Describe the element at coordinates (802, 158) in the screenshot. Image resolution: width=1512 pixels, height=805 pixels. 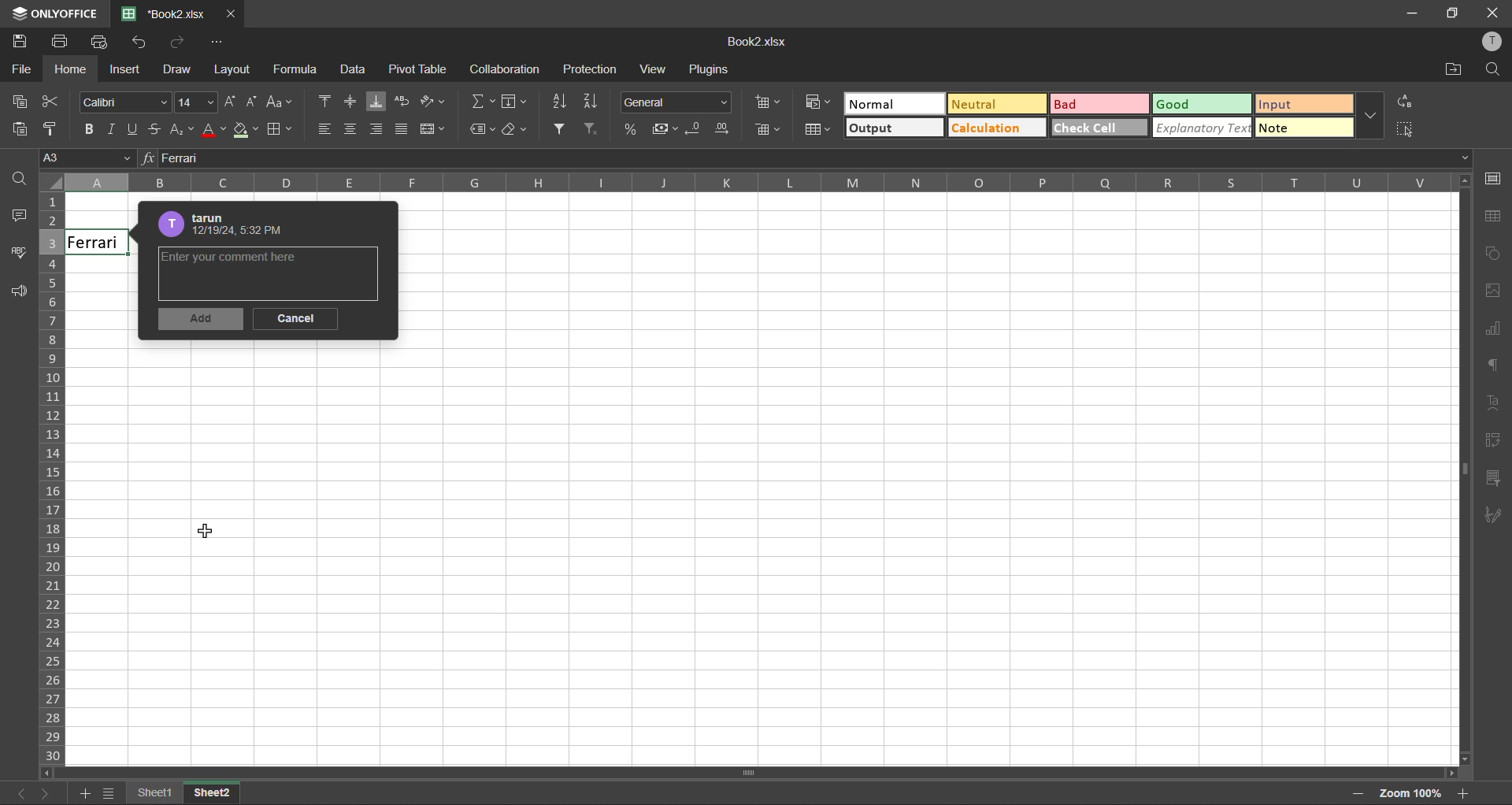
I see `formula bar` at that location.